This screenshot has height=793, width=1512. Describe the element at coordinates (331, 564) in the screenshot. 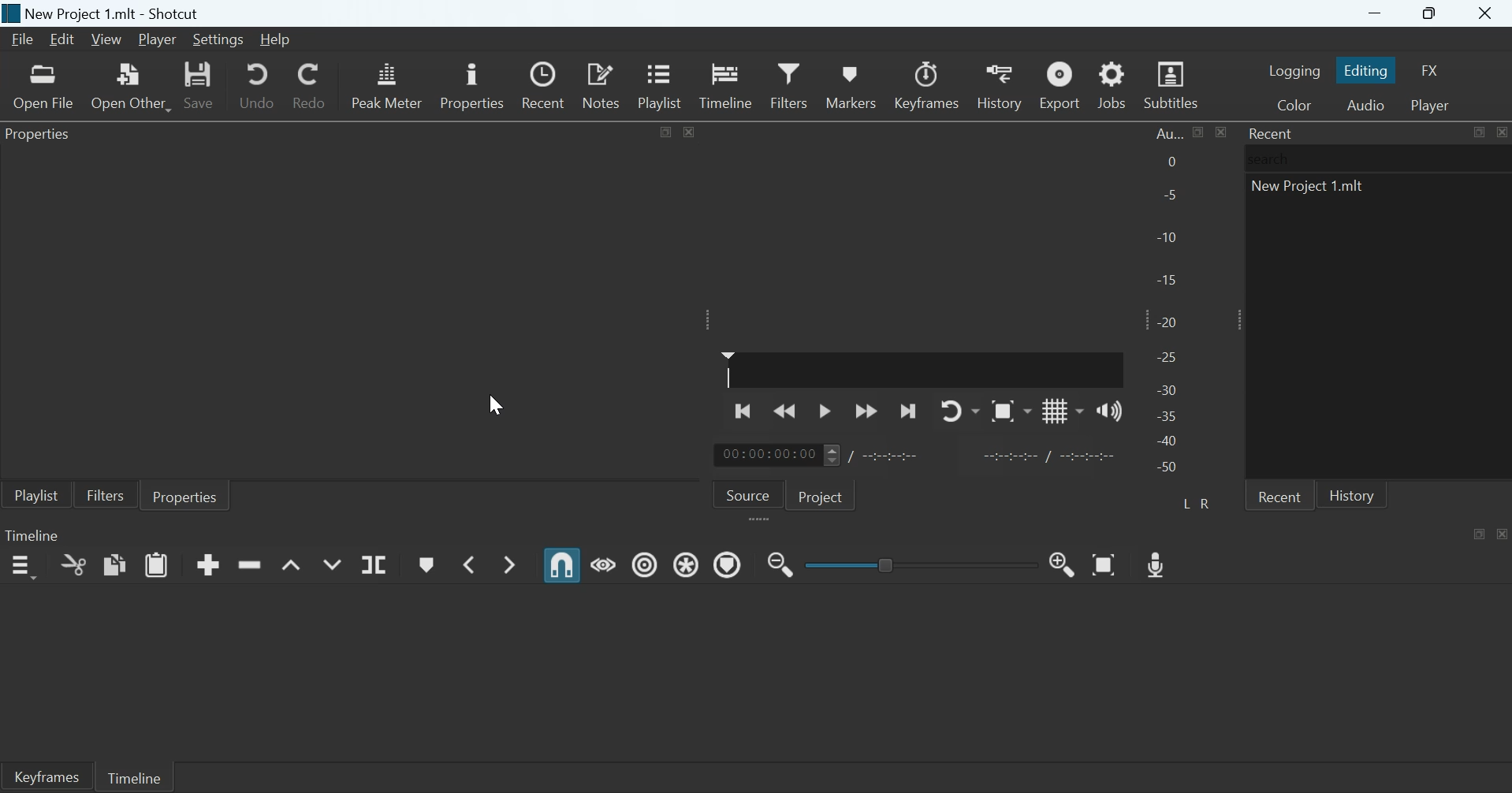

I see `Overwrite` at that location.